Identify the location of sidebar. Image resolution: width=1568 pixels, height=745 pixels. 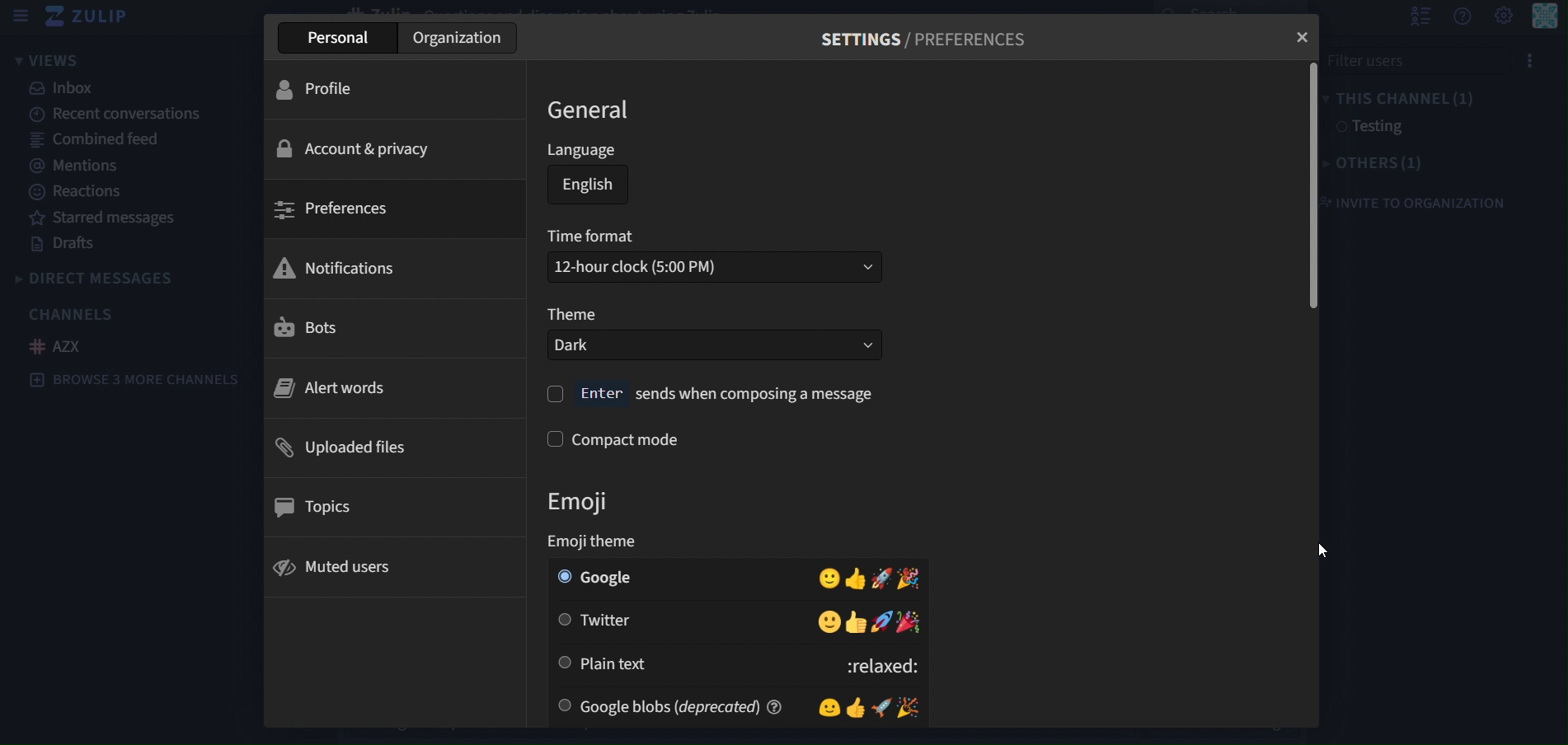
(20, 16).